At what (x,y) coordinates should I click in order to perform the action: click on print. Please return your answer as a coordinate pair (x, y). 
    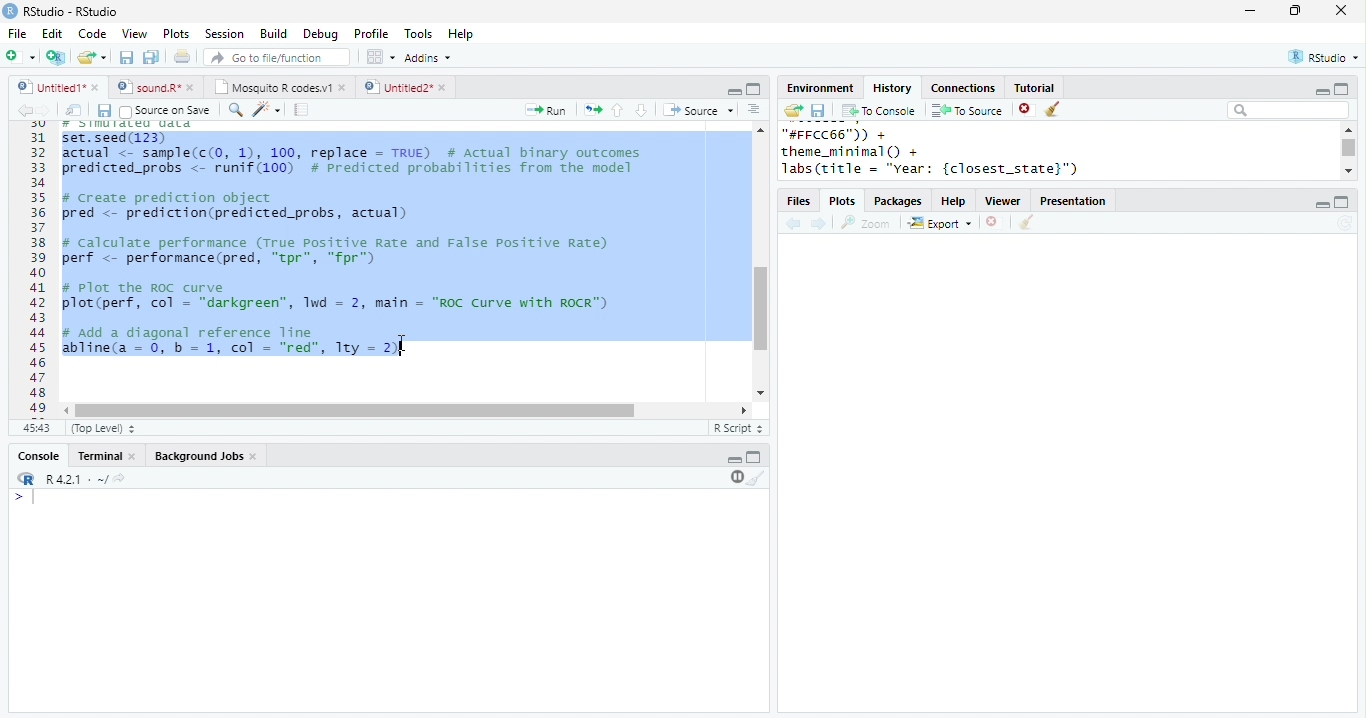
    Looking at the image, I should click on (183, 56).